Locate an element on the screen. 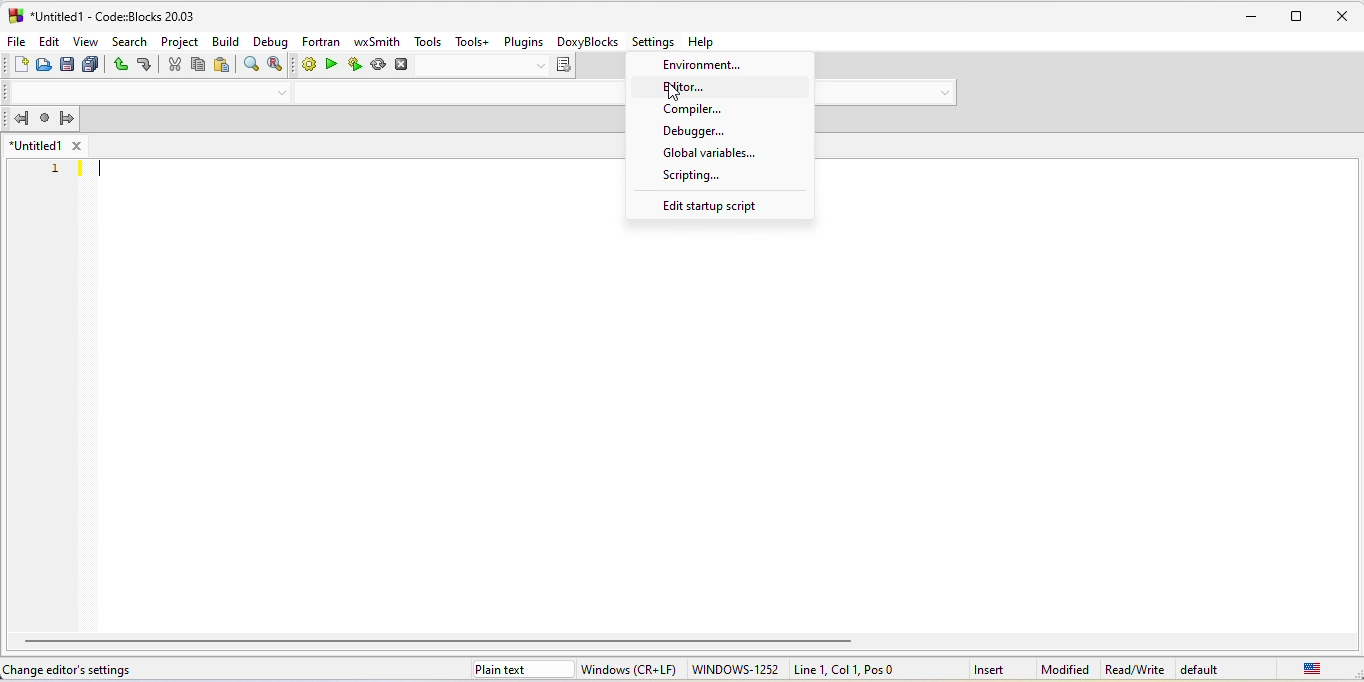 This screenshot has height=682, width=1364. windows is located at coordinates (633, 669).